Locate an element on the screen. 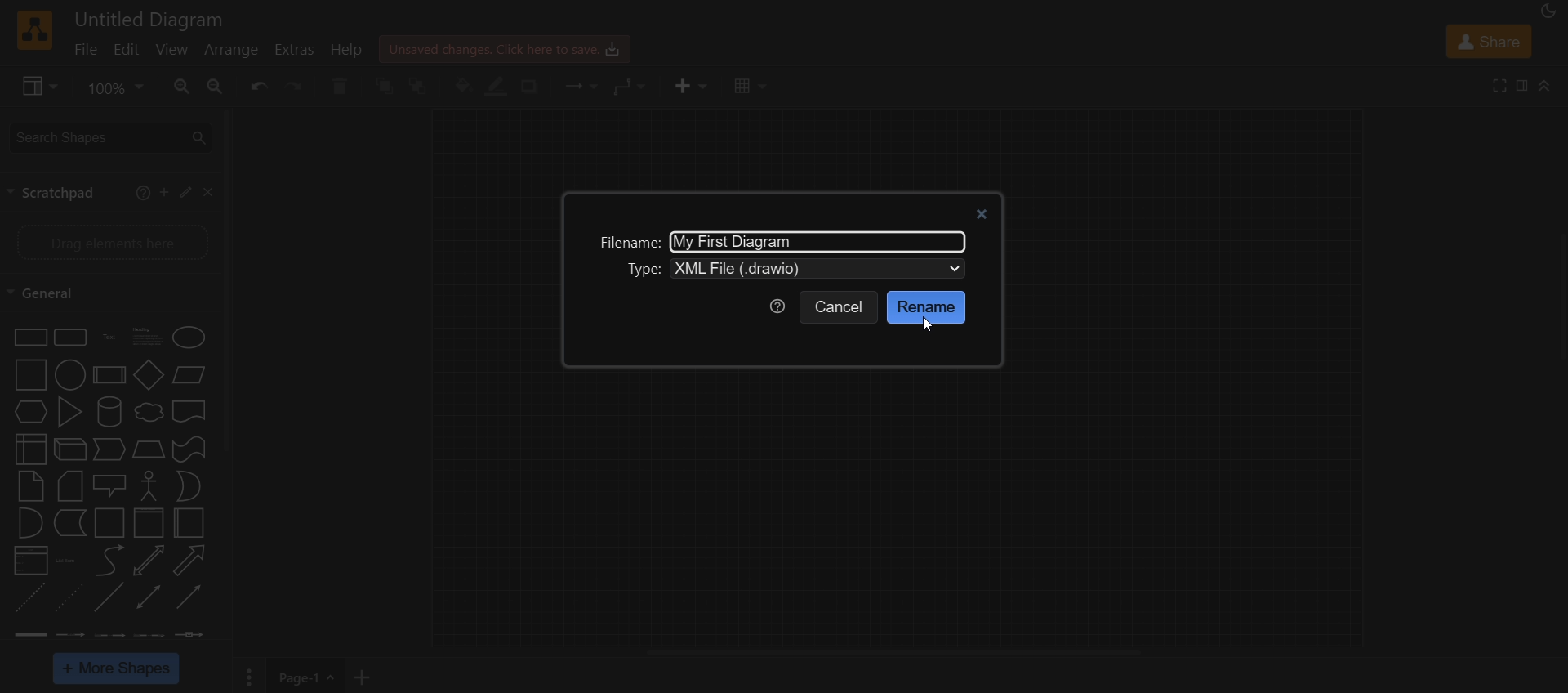  help is located at coordinates (346, 51).